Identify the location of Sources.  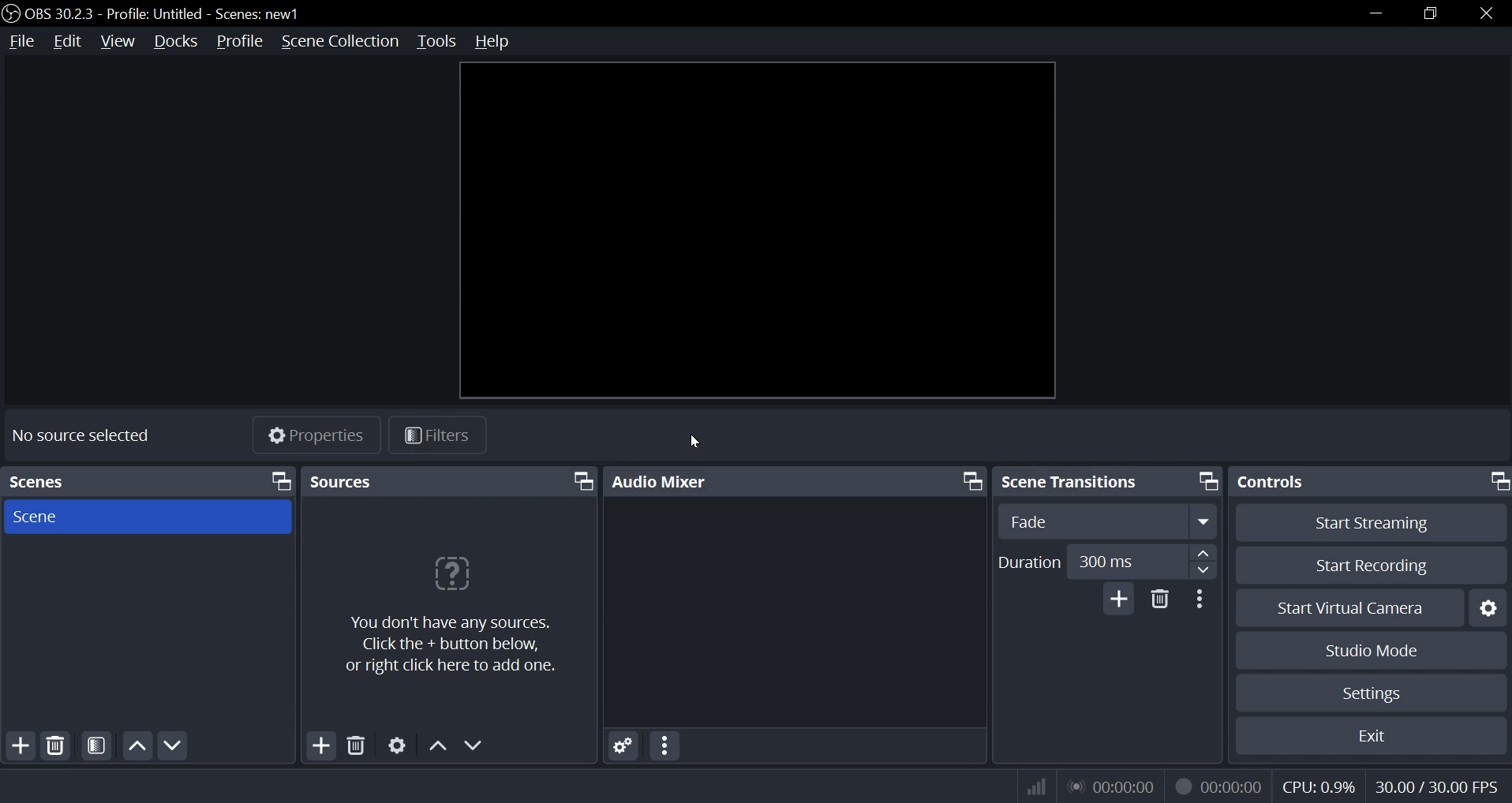
(346, 481).